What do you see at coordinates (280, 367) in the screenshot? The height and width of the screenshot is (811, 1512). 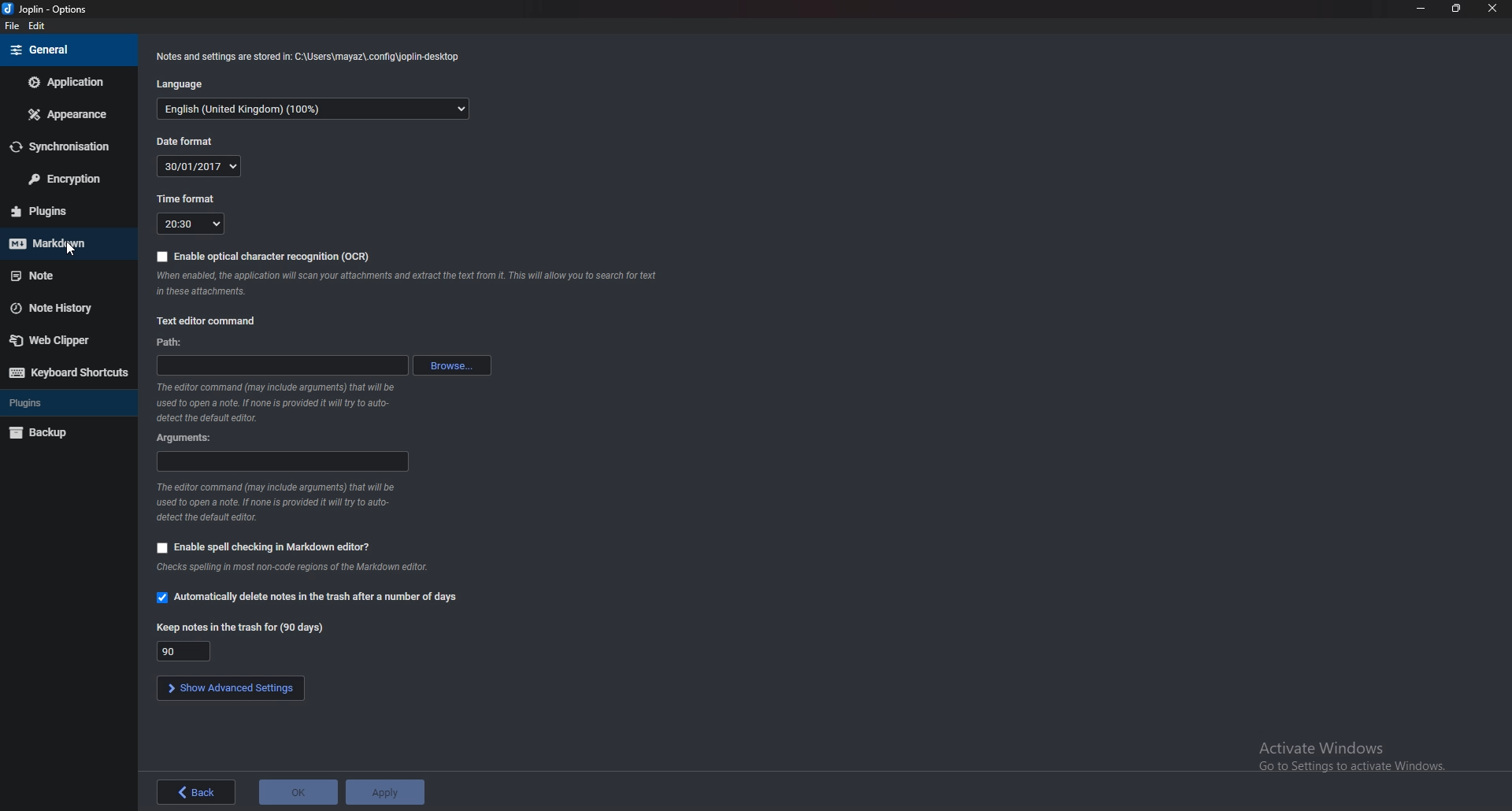 I see `path` at bounding box center [280, 367].